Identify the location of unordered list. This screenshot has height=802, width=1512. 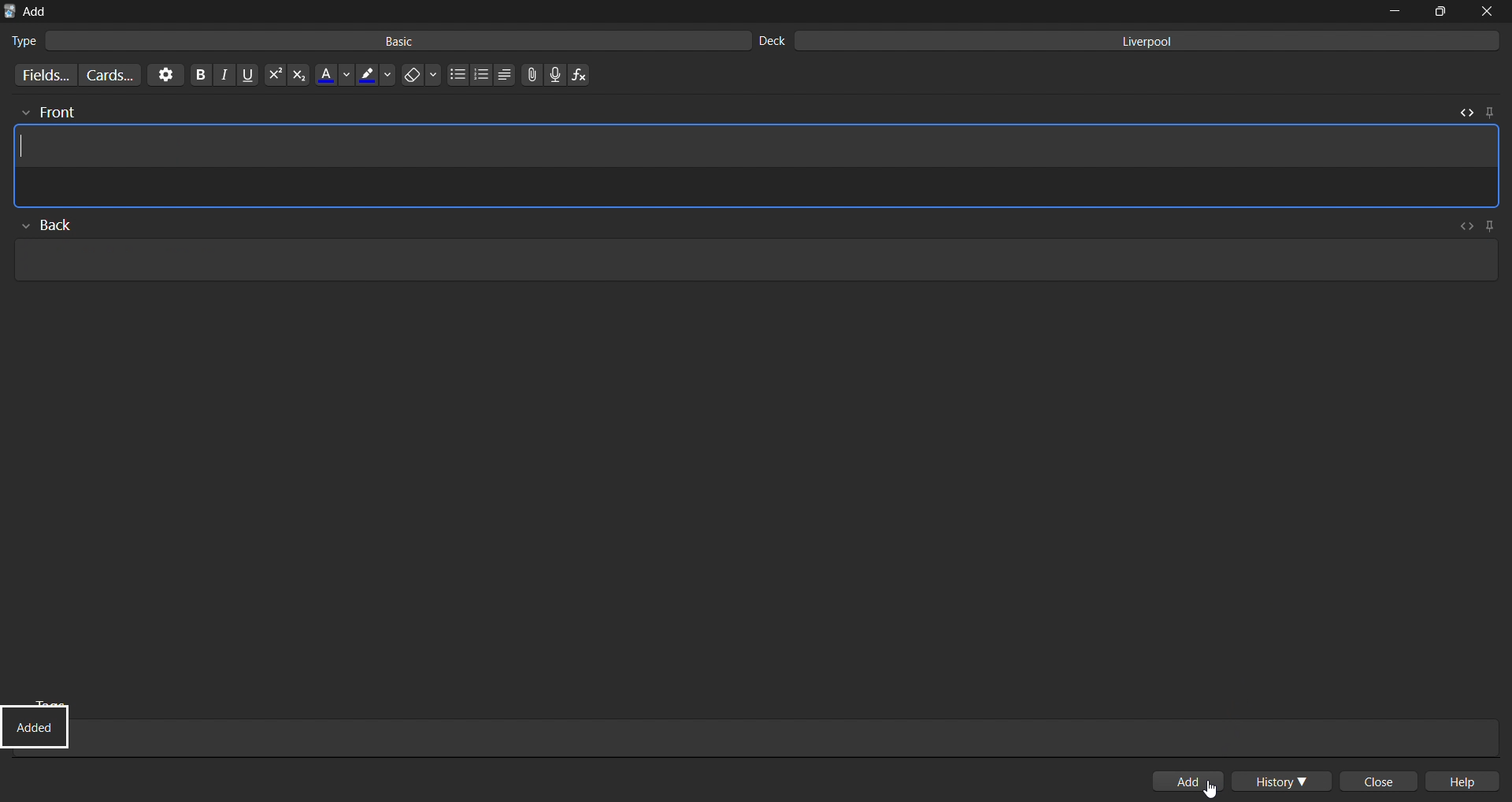
(457, 76).